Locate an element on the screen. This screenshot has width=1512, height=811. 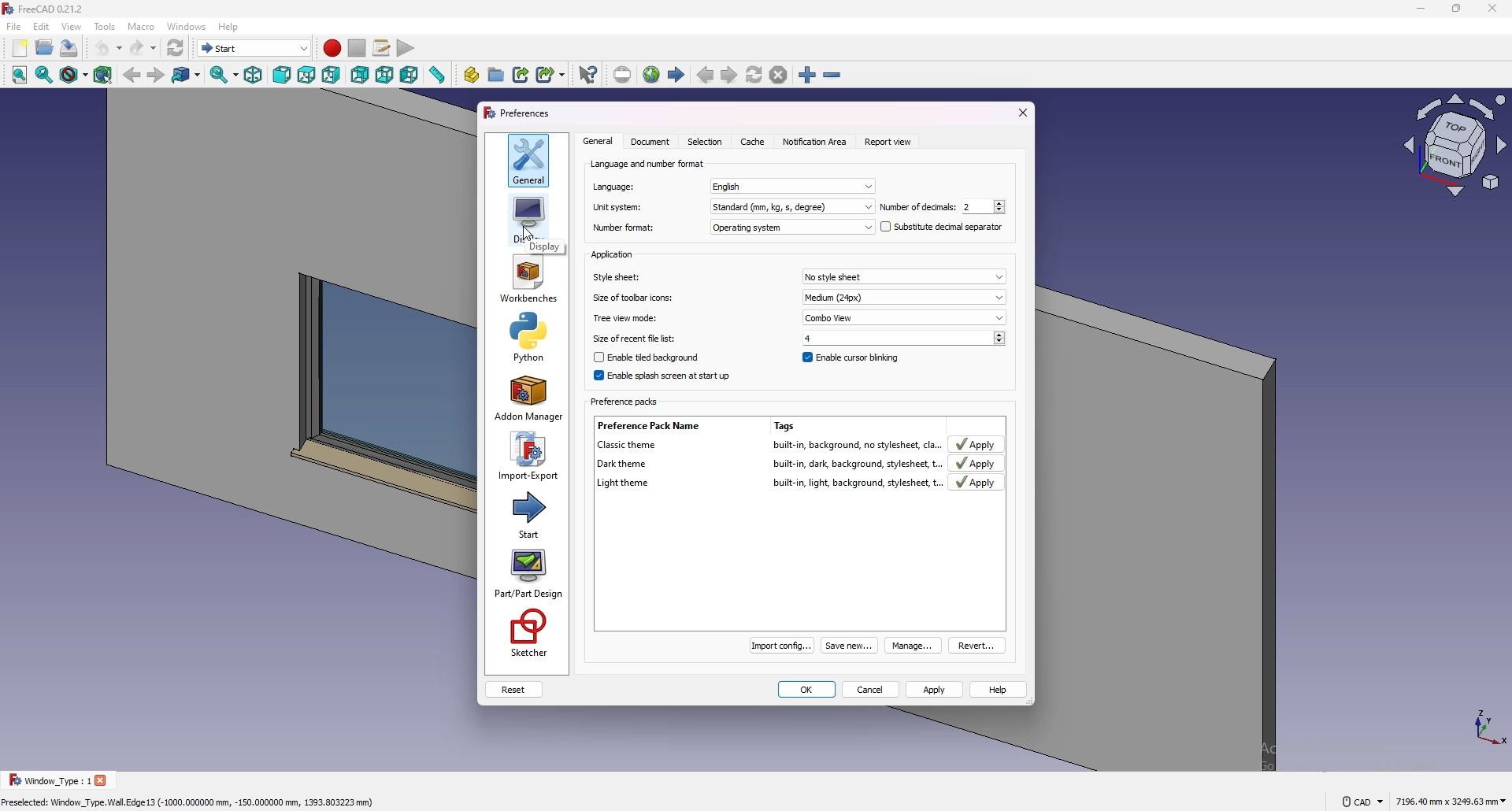
left is located at coordinates (410, 75).